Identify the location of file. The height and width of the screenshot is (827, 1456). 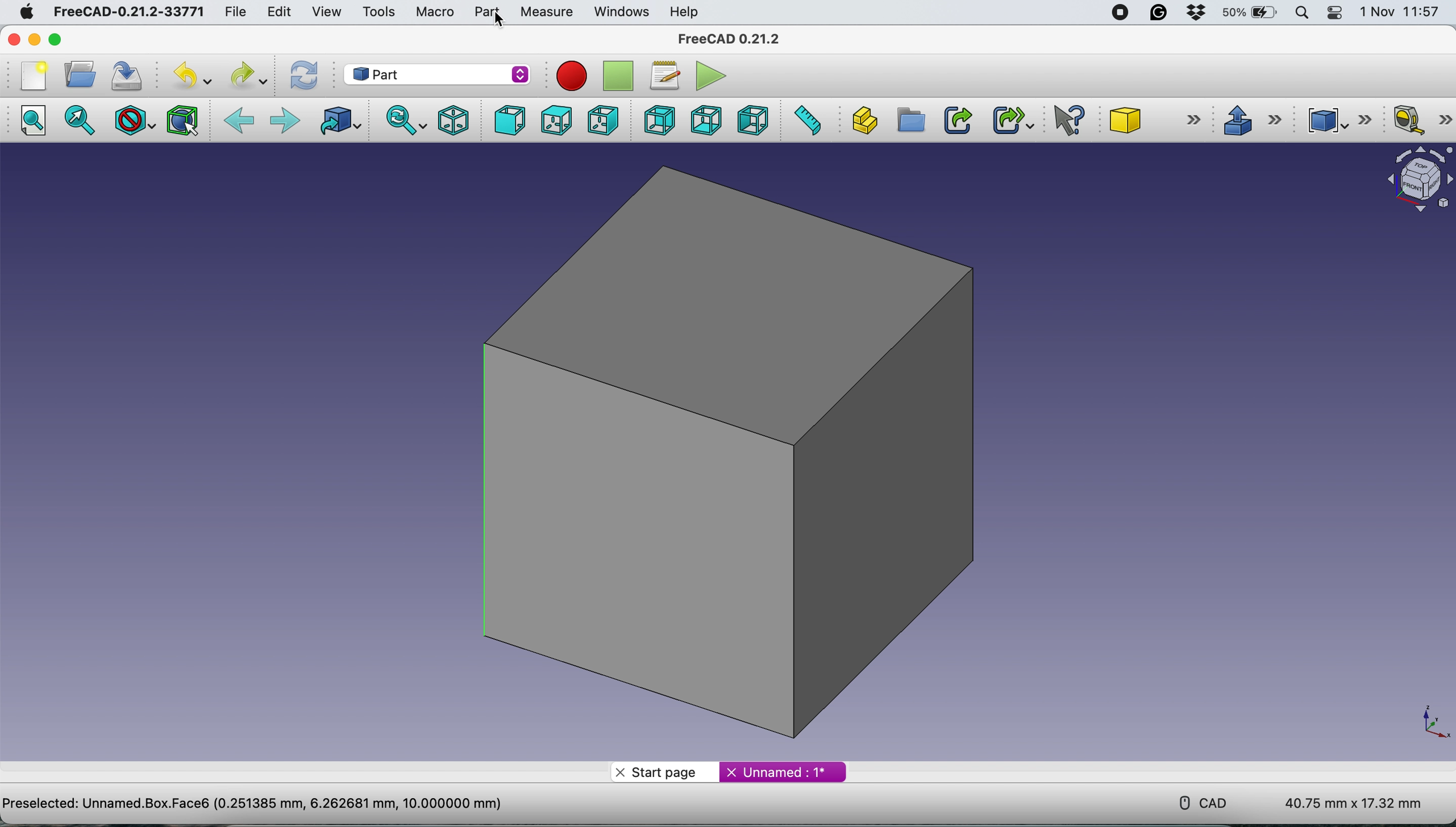
(236, 10).